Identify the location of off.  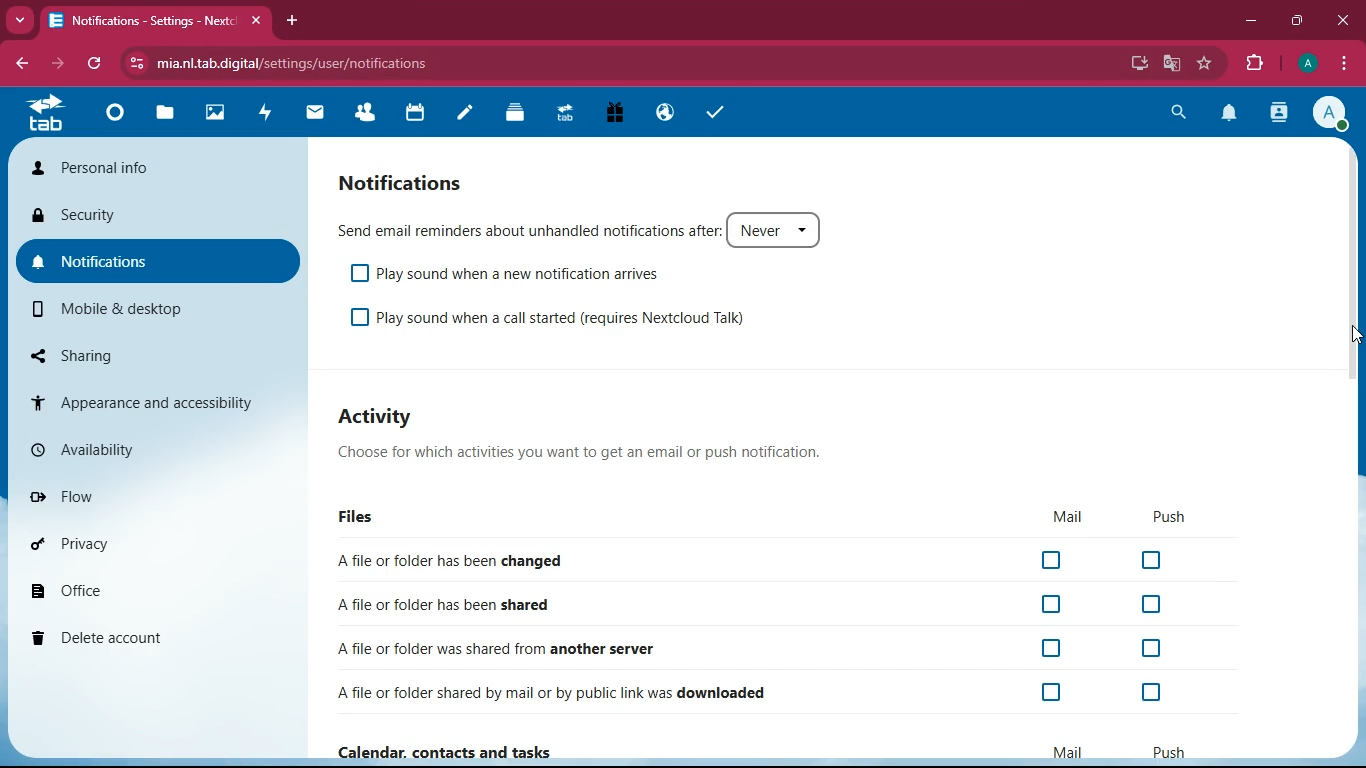
(1051, 648).